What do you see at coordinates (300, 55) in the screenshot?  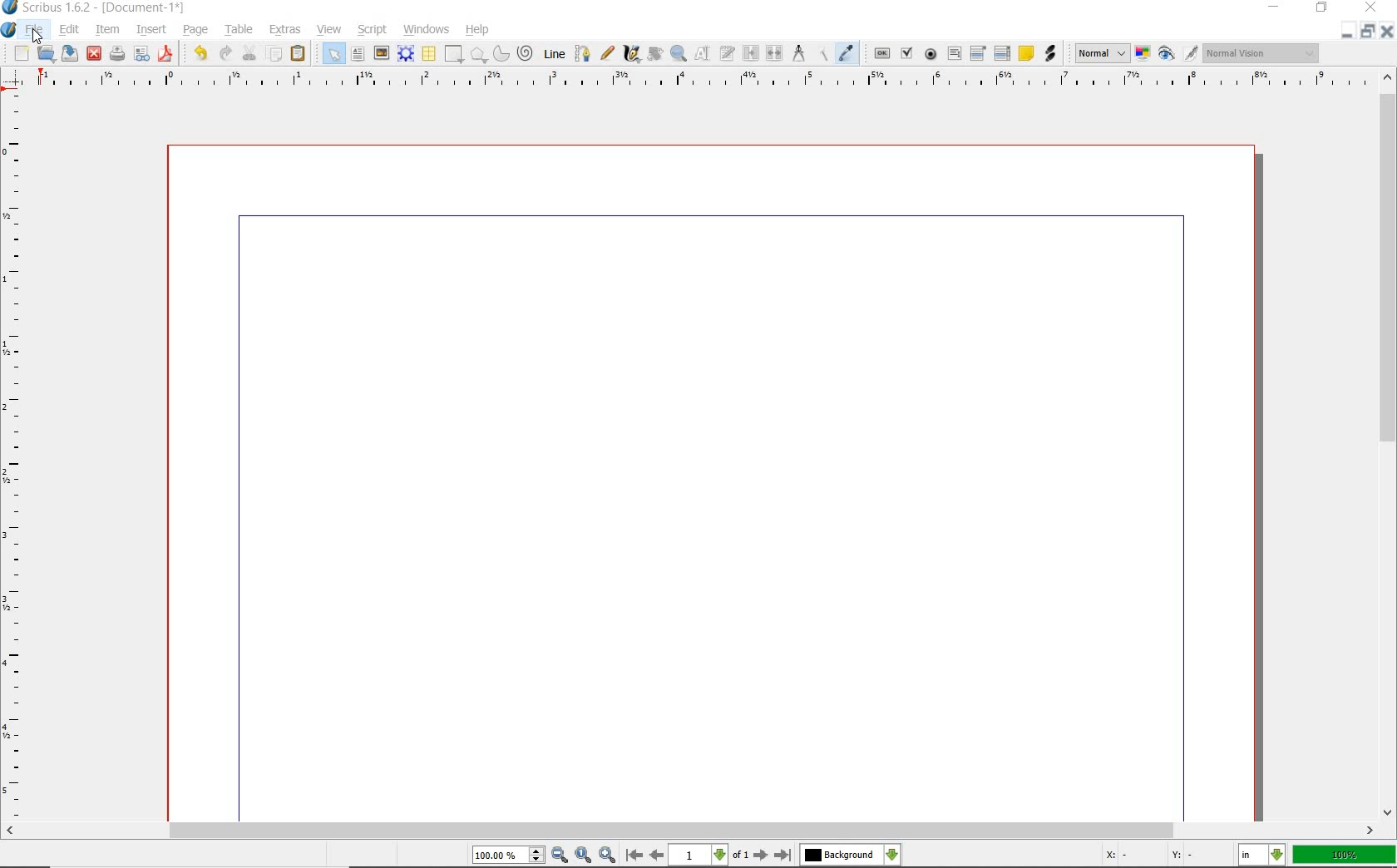 I see `paste` at bounding box center [300, 55].